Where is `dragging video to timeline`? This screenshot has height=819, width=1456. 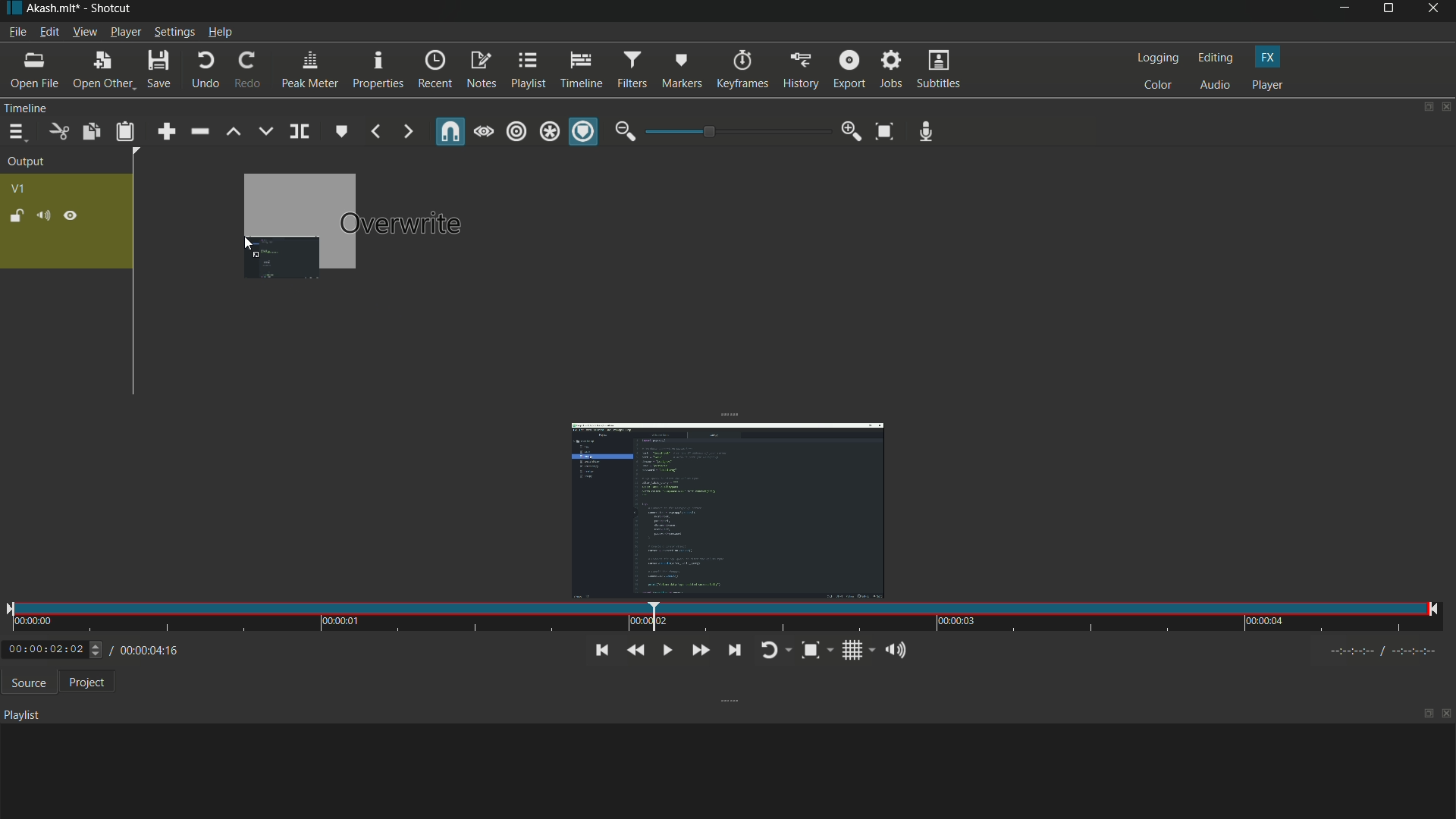 dragging video to timeline is located at coordinates (299, 224).